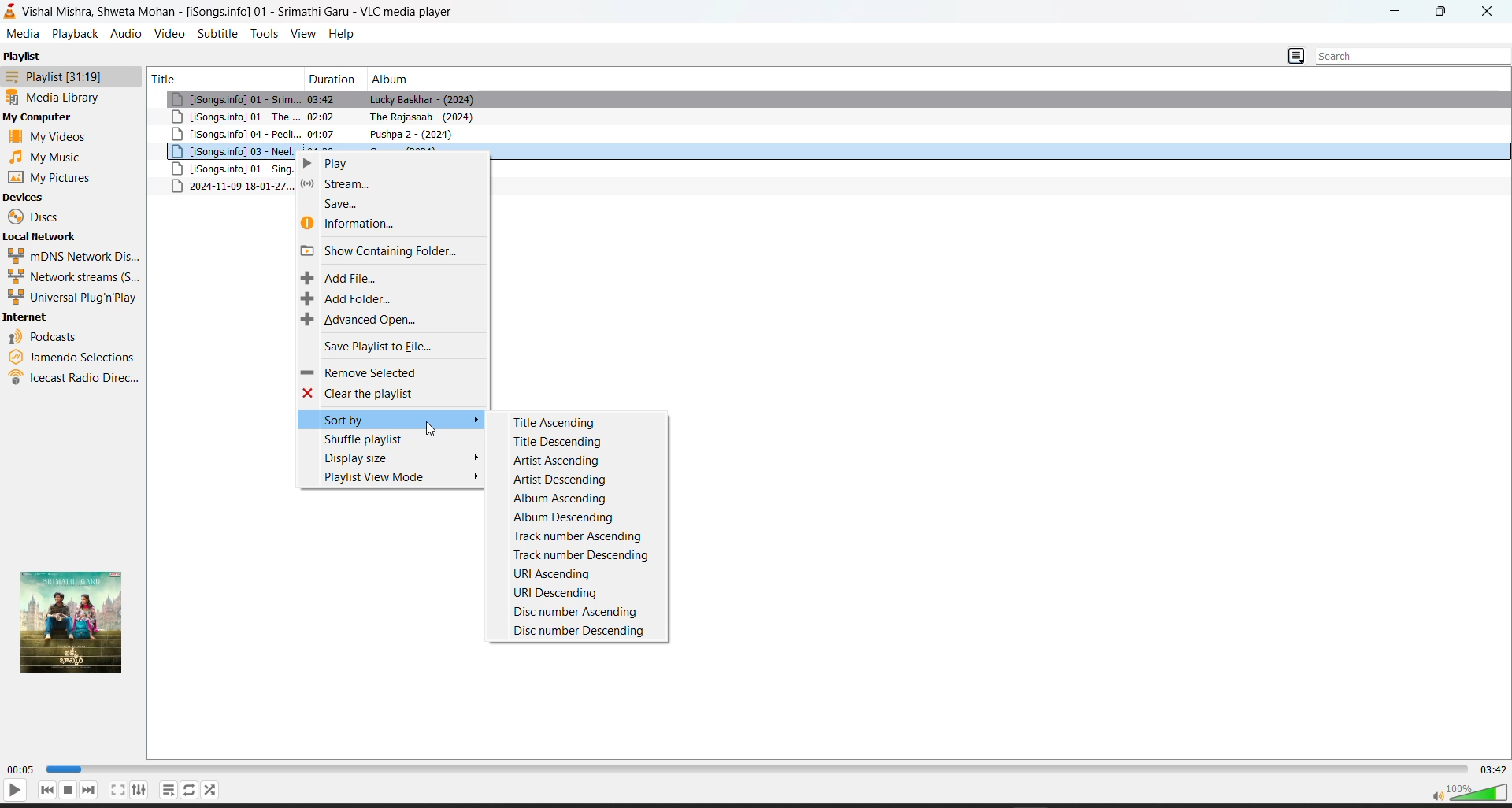 The image size is (1512, 808). Describe the element at coordinates (391, 439) in the screenshot. I see `shuffle playlist` at that location.